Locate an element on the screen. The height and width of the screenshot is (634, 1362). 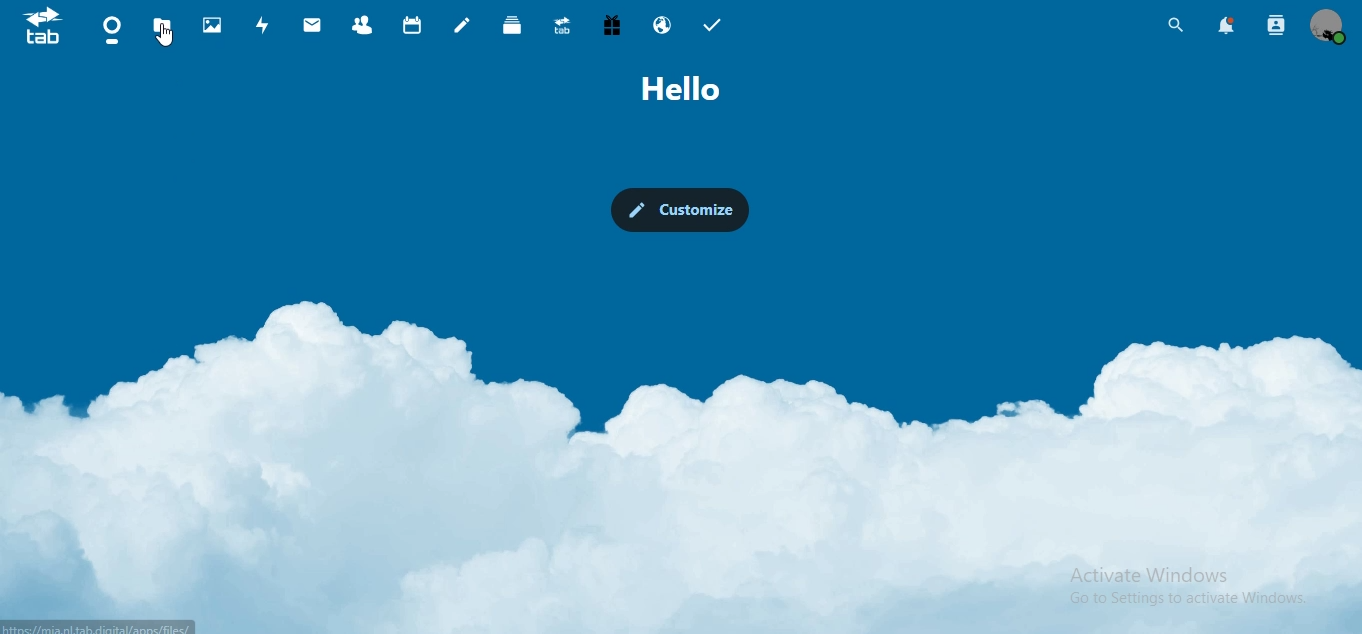
photos is located at coordinates (213, 23).